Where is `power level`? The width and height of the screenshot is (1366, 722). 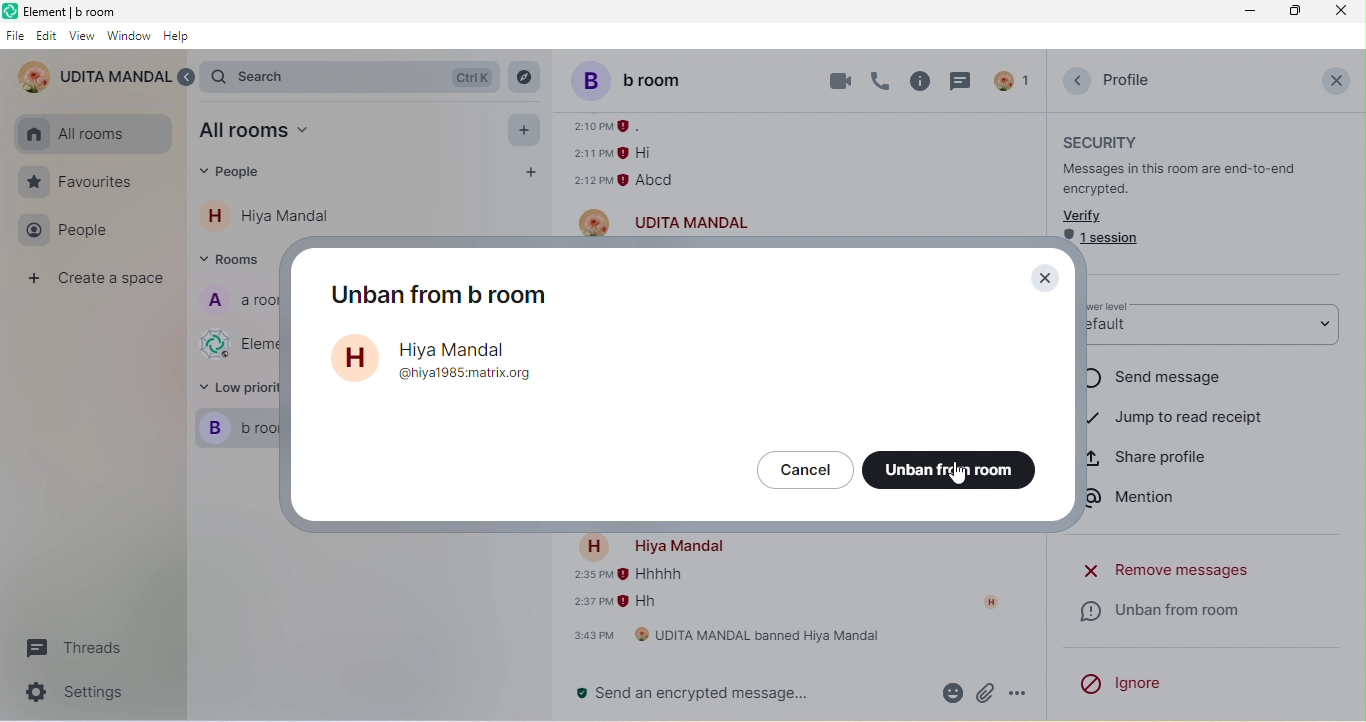
power level is located at coordinates (1118, 307).